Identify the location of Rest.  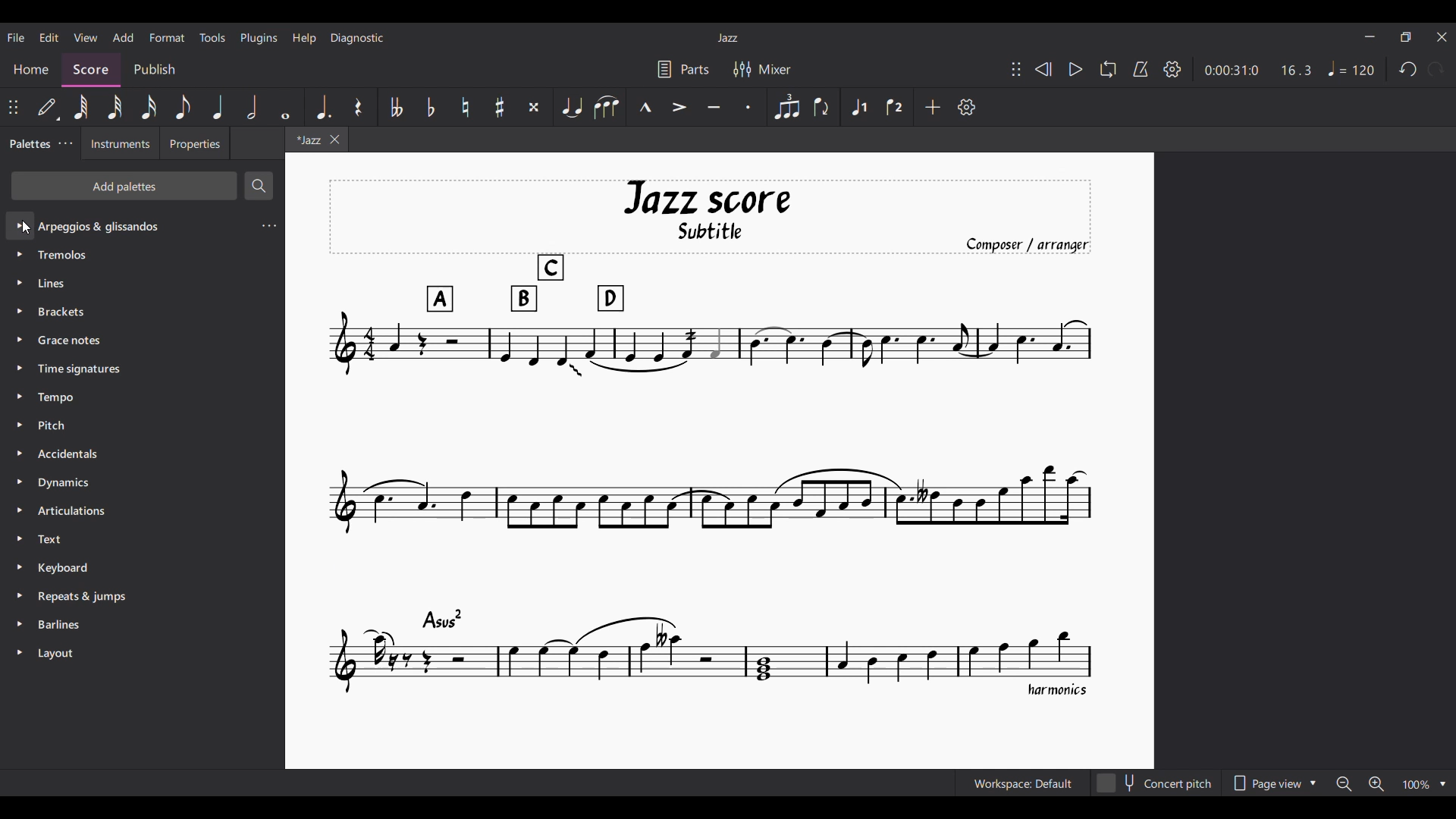
(358, 108).